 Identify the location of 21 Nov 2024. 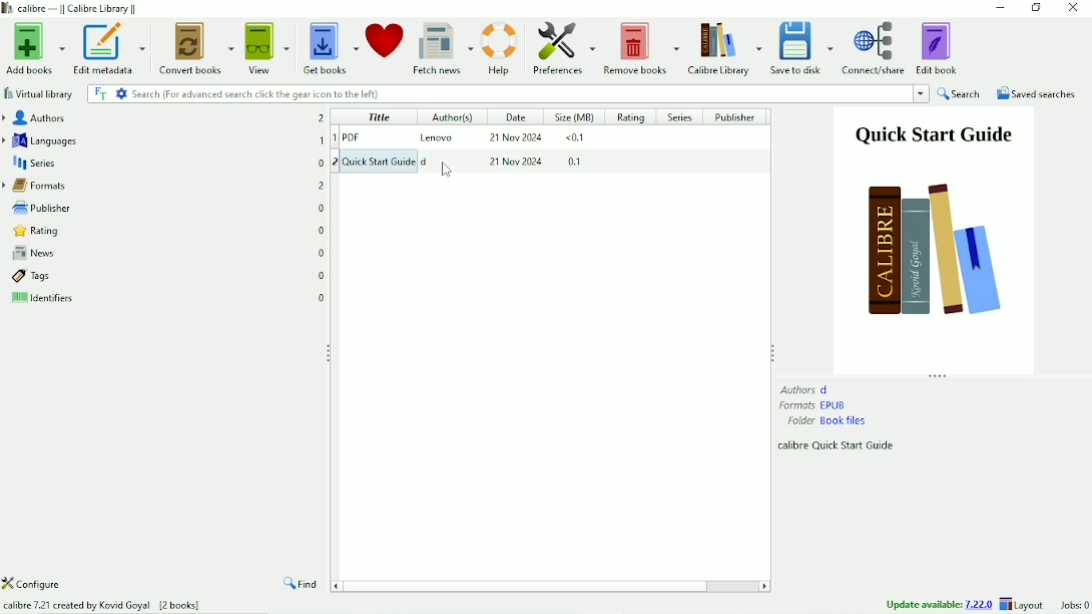
(515, 139).